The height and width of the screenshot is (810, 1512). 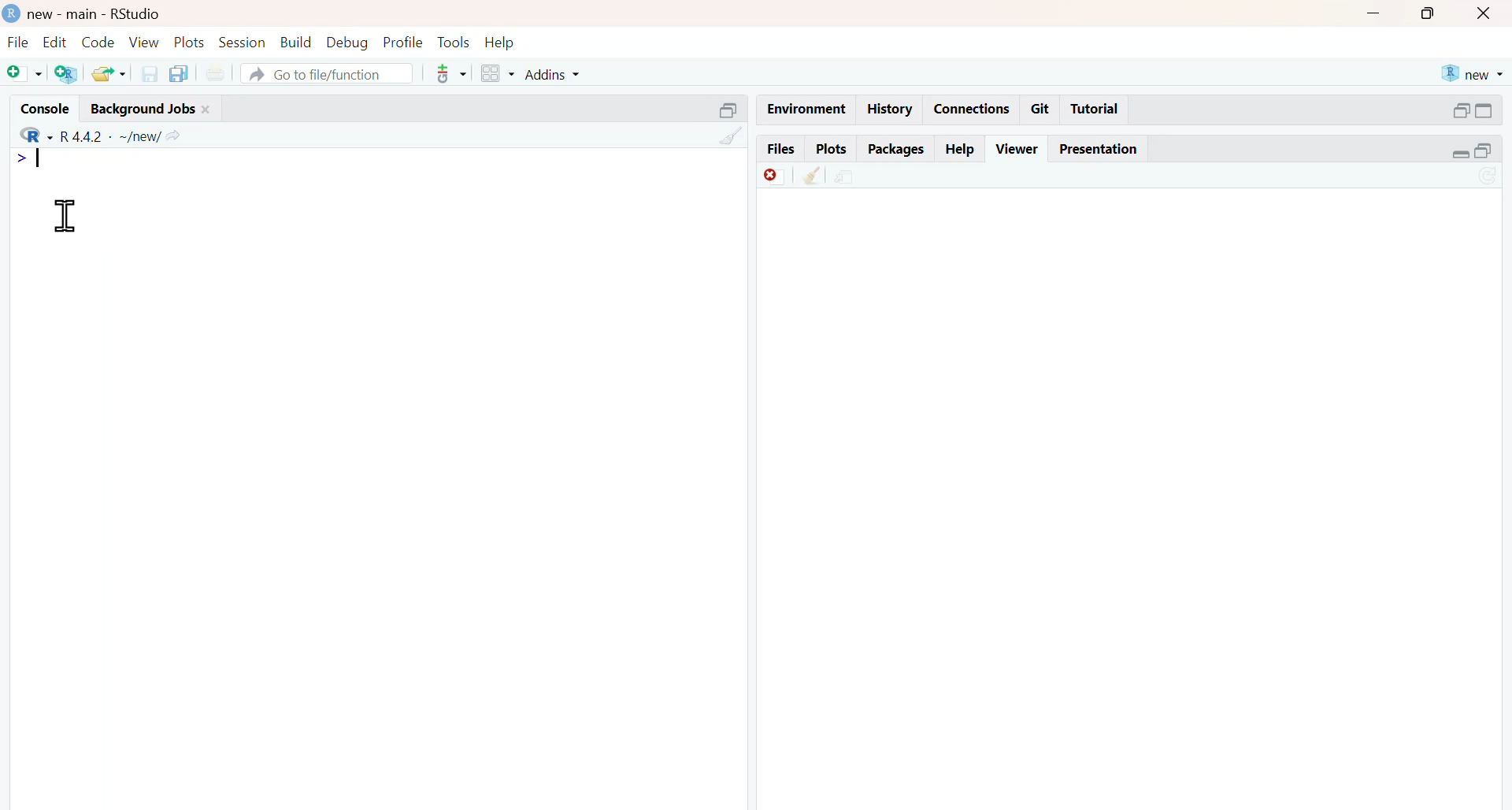 I want to click on help, so click(x=961, y=149).